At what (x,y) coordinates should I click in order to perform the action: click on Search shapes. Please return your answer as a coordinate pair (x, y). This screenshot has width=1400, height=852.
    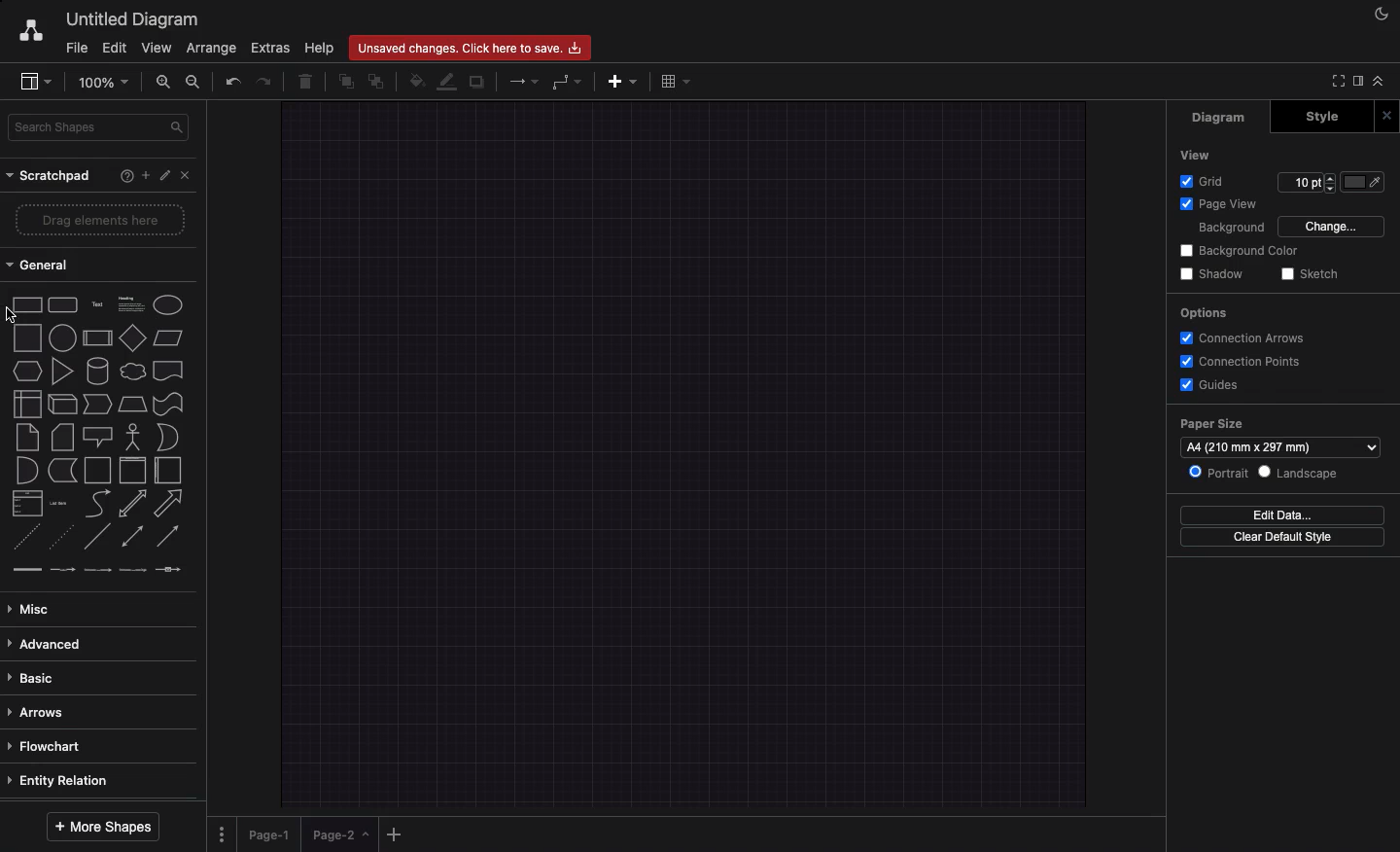
    Looking at the image, I should click on (101, 125).